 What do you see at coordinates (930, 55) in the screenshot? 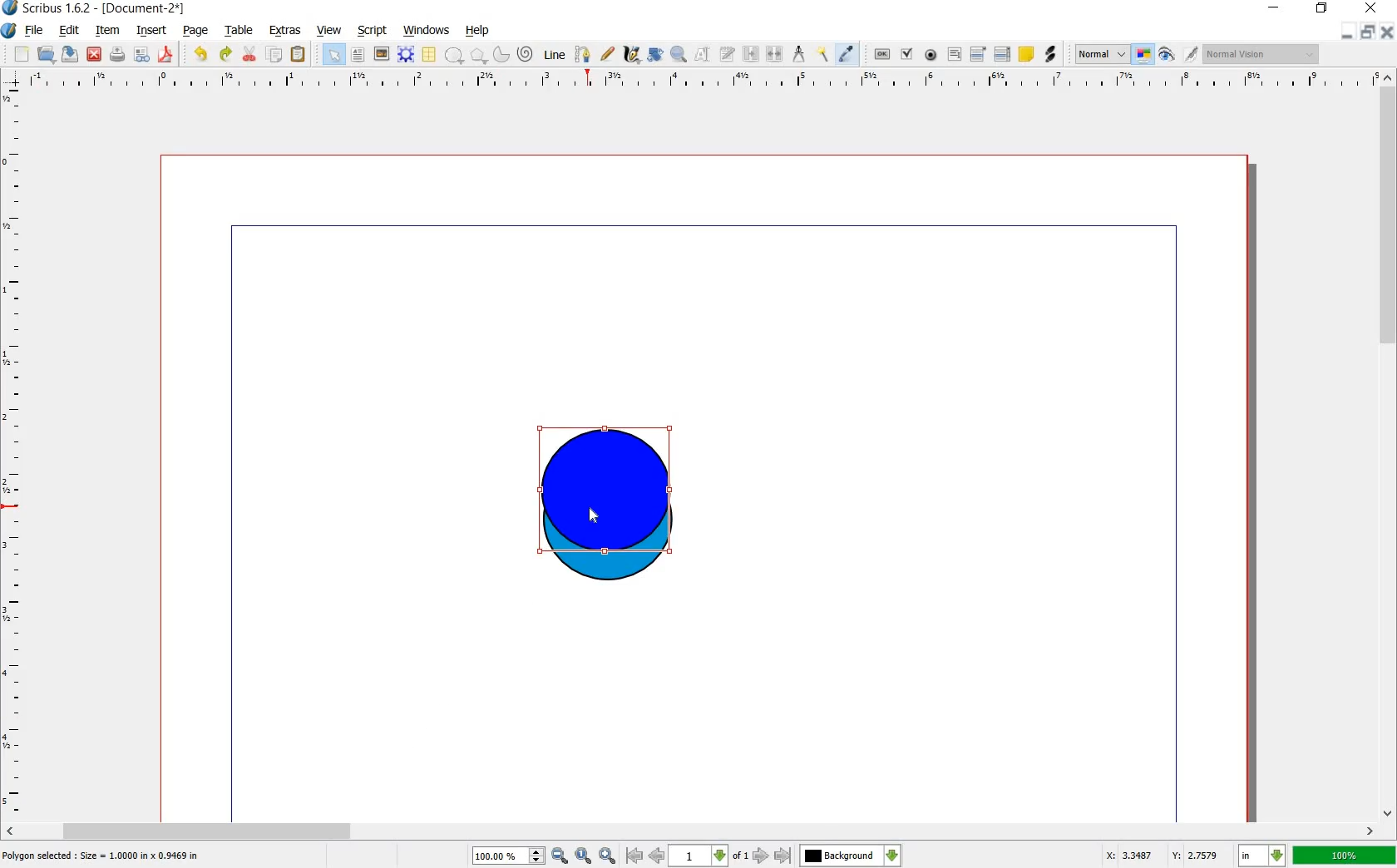
I see `pdf radio button` at bounding box center [930, 55].